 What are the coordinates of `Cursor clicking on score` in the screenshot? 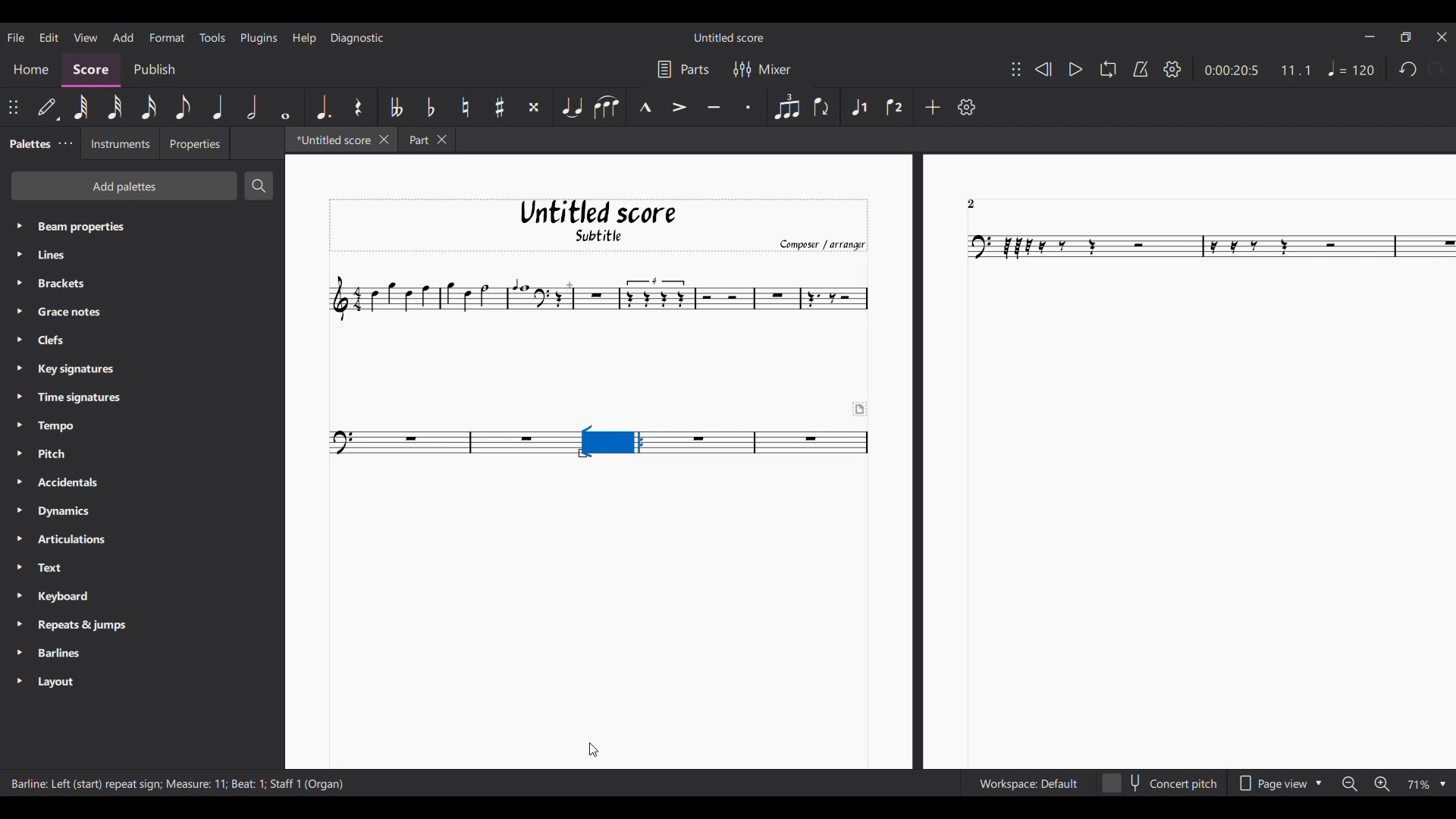 It's located at (593, 750).